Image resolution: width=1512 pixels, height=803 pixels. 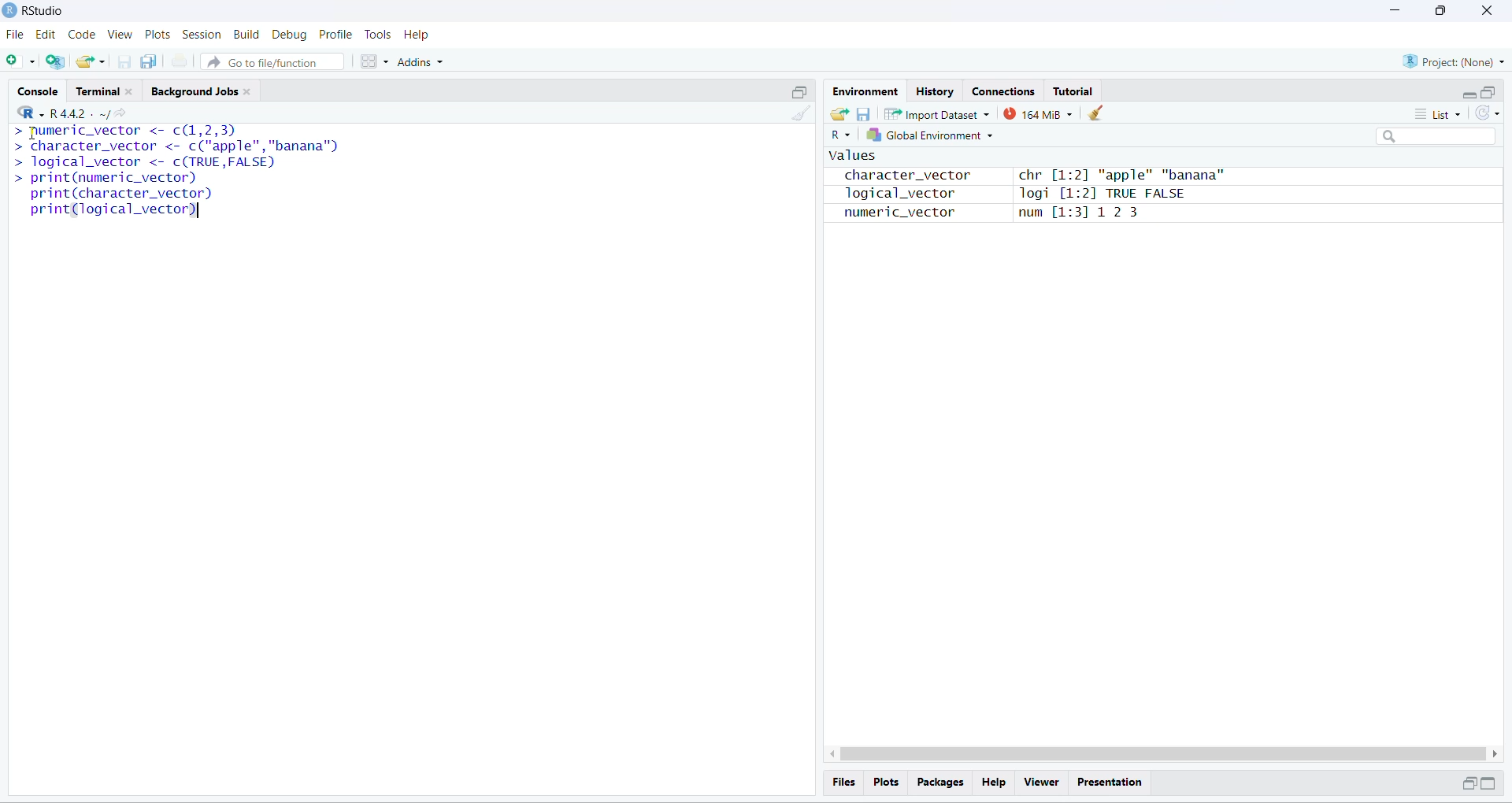 I want to click on new file, so click(x=17, y=59).